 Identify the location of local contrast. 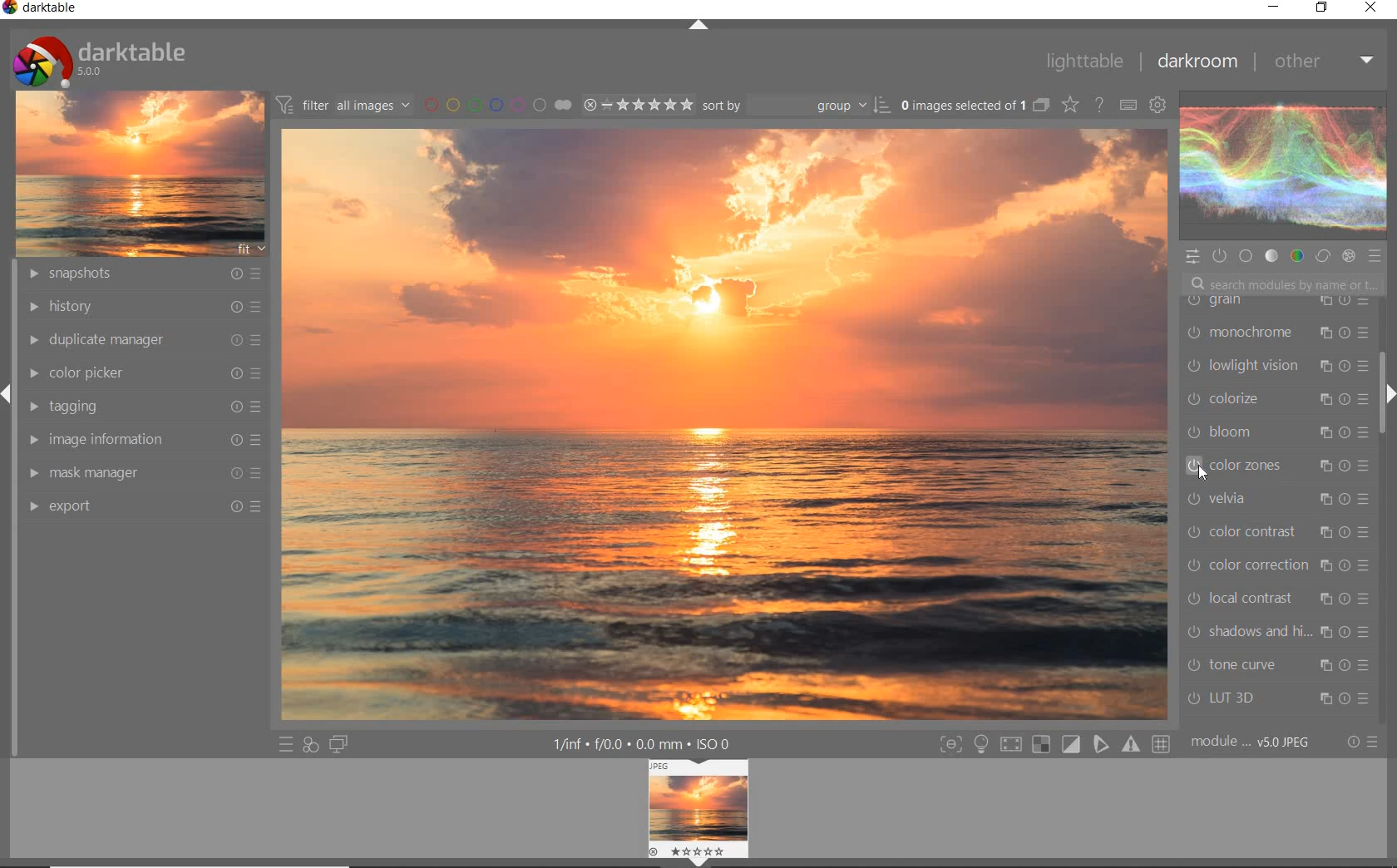
(1282, 598).